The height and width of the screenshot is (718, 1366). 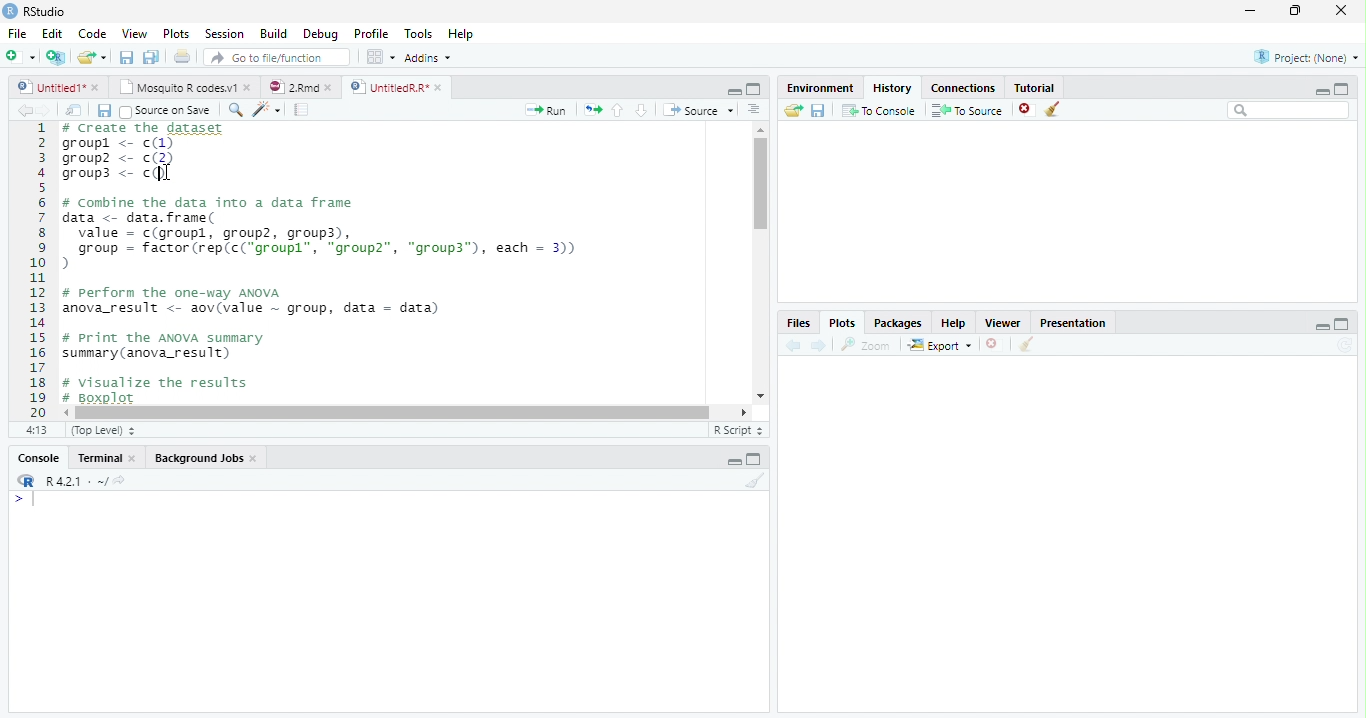 I want to click on Go to previous section, so click(x=617, y=109).